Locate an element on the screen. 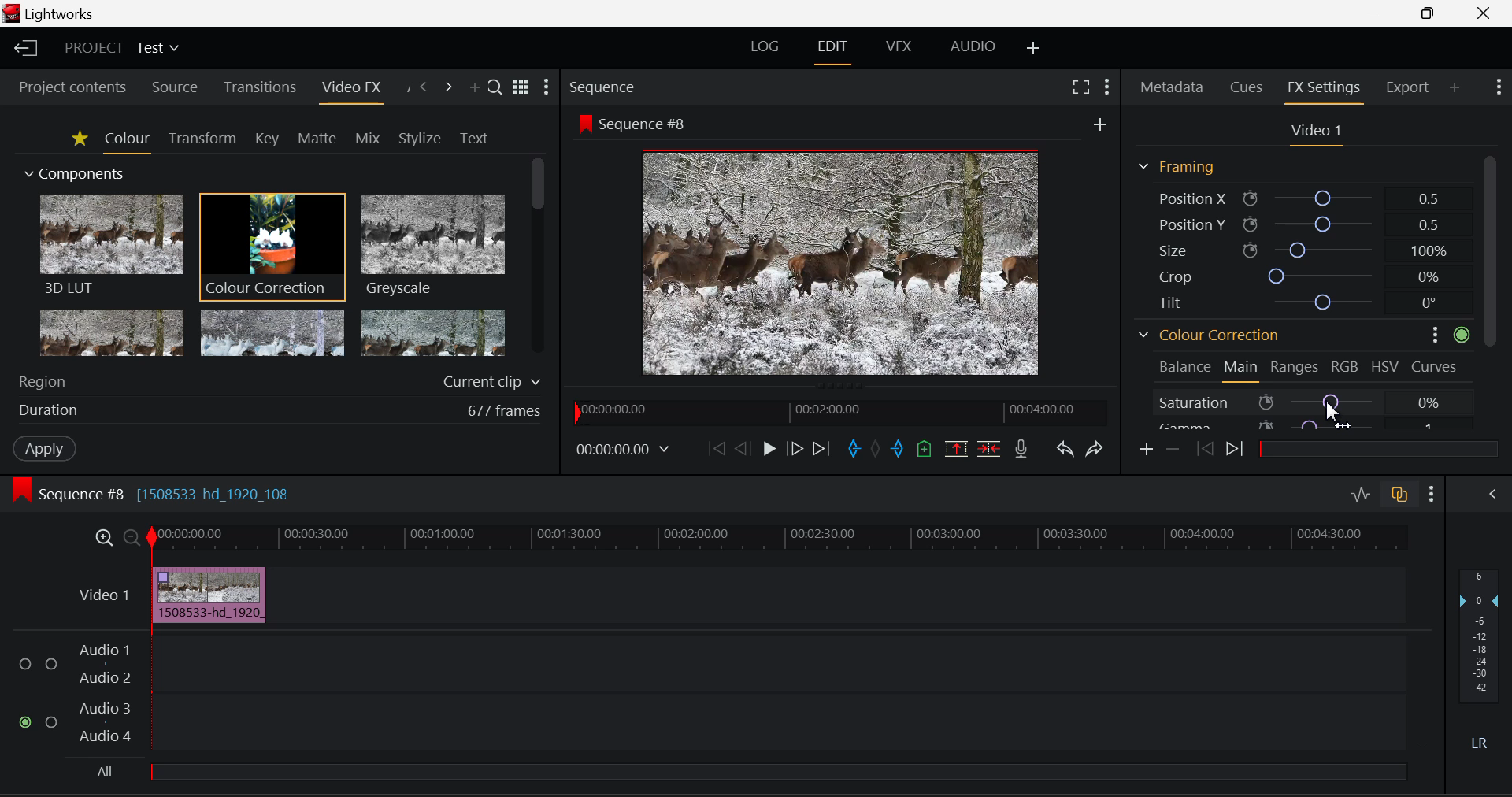 The height and width of the screenshot is (797, 1512). Audio Input Field is located at coordinates (776, 724).